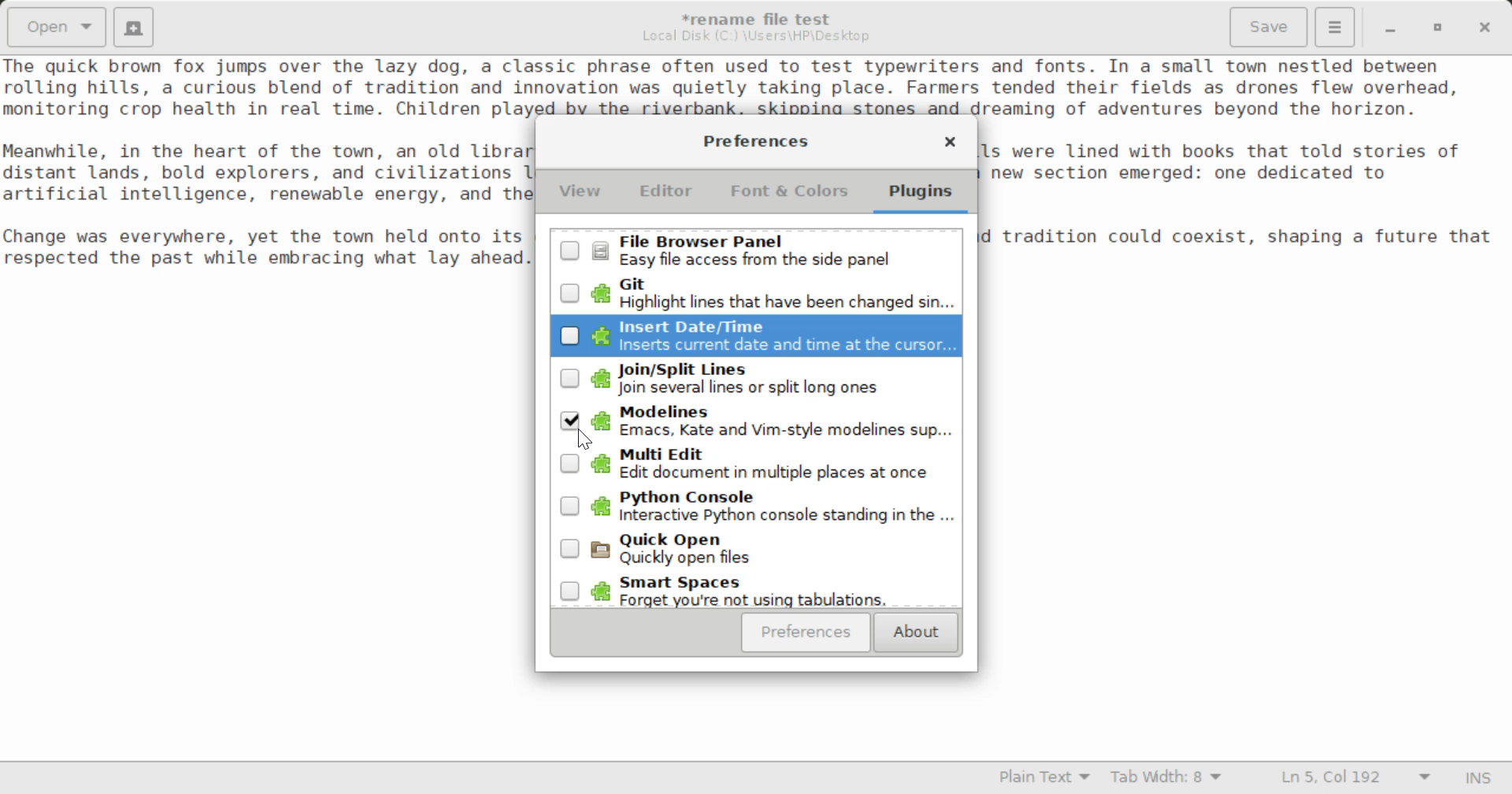 The image size is (1512, 794). What do you see at coordinates (925, 197) in the screenshot?
I see `Plugins Tab Selected` at bounding box center [925, 197].